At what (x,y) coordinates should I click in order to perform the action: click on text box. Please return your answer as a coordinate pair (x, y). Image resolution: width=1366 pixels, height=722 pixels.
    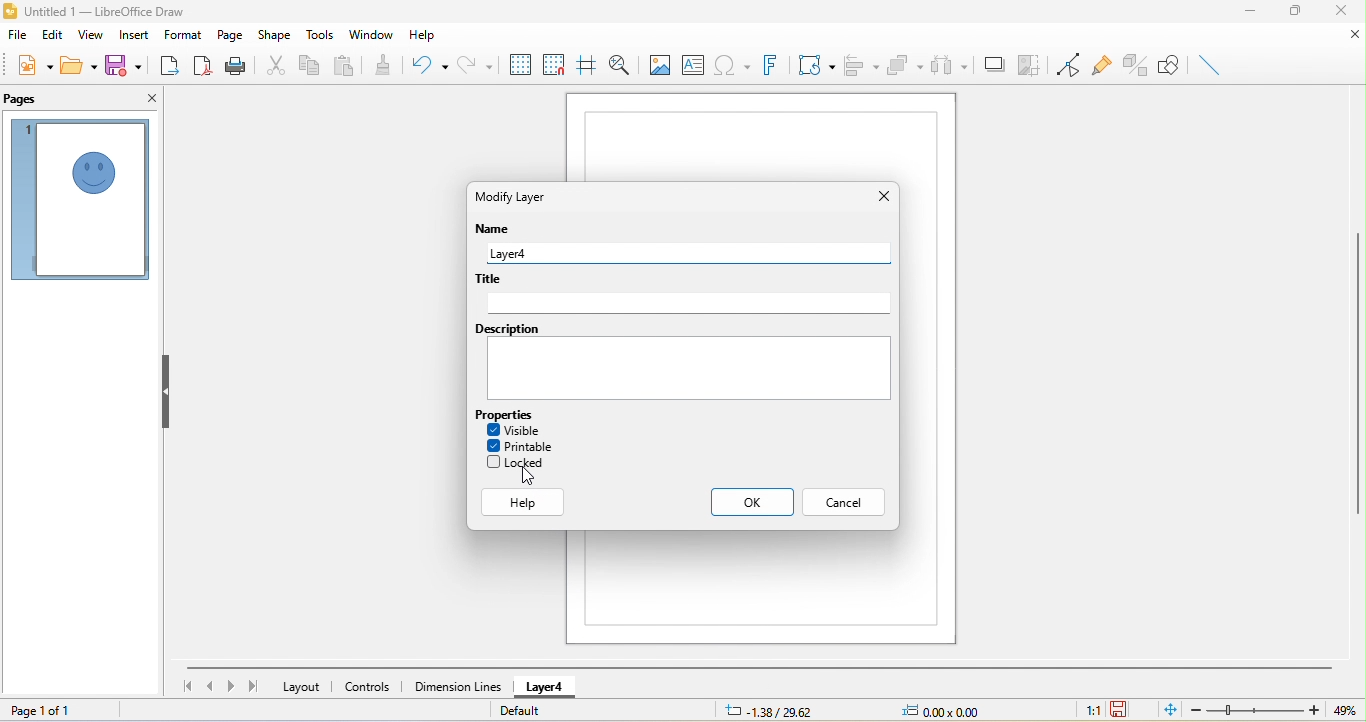
    Looking at the image, I should click on (695, 63).